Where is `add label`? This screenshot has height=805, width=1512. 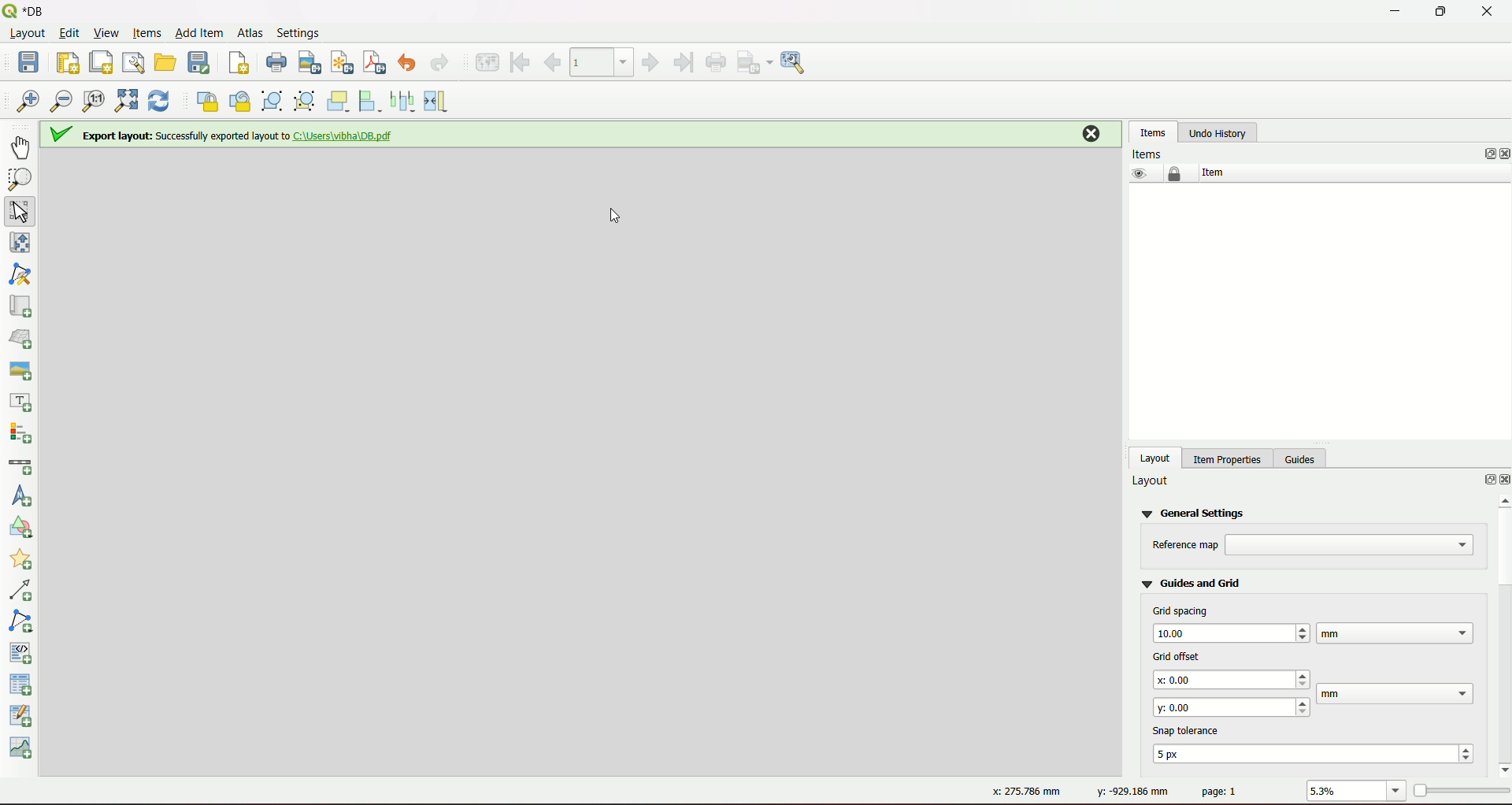 add label is located at coordinates (22, 402).